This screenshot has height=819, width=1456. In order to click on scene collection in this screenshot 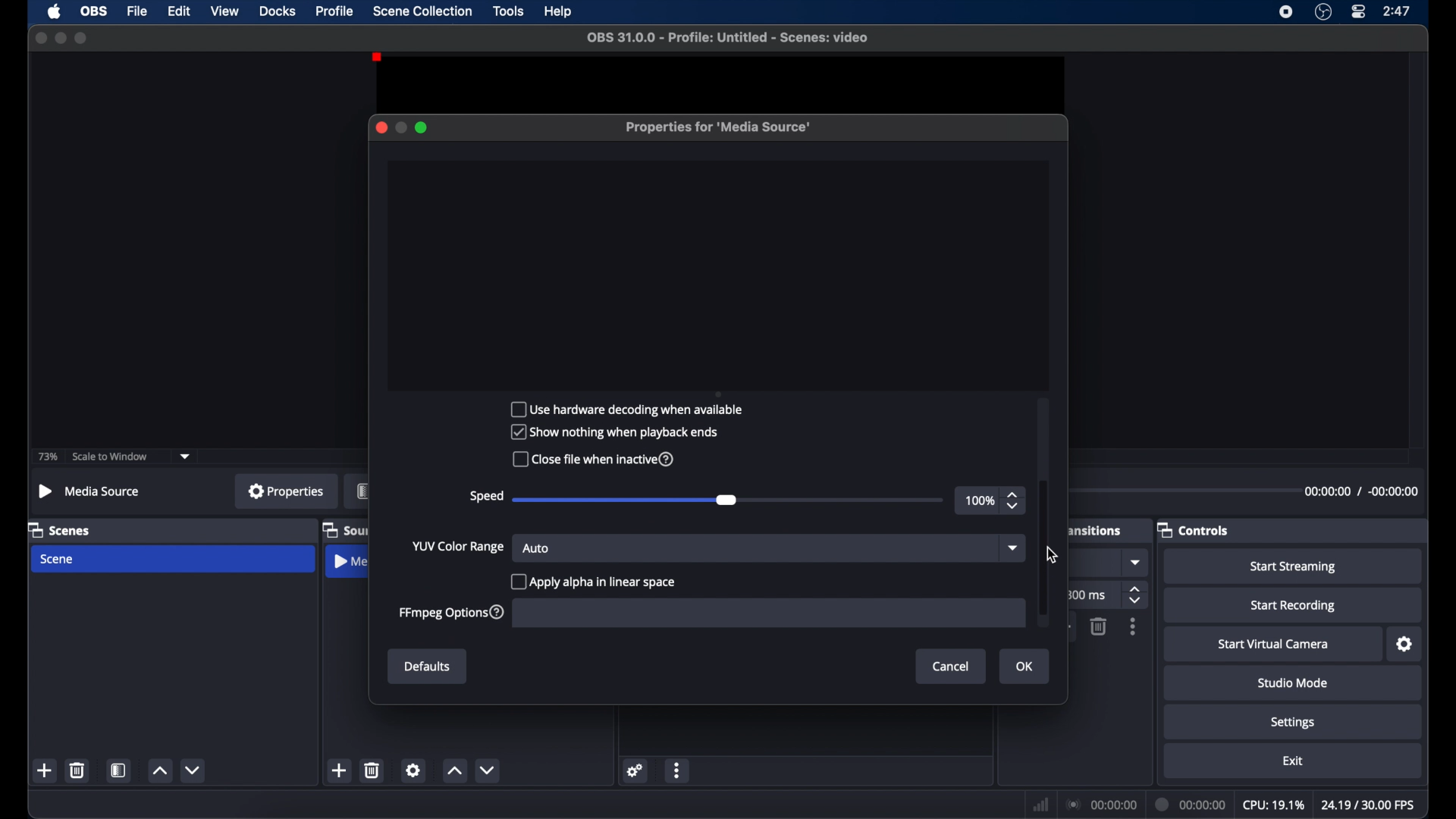, I will do `click(424, 11)`.